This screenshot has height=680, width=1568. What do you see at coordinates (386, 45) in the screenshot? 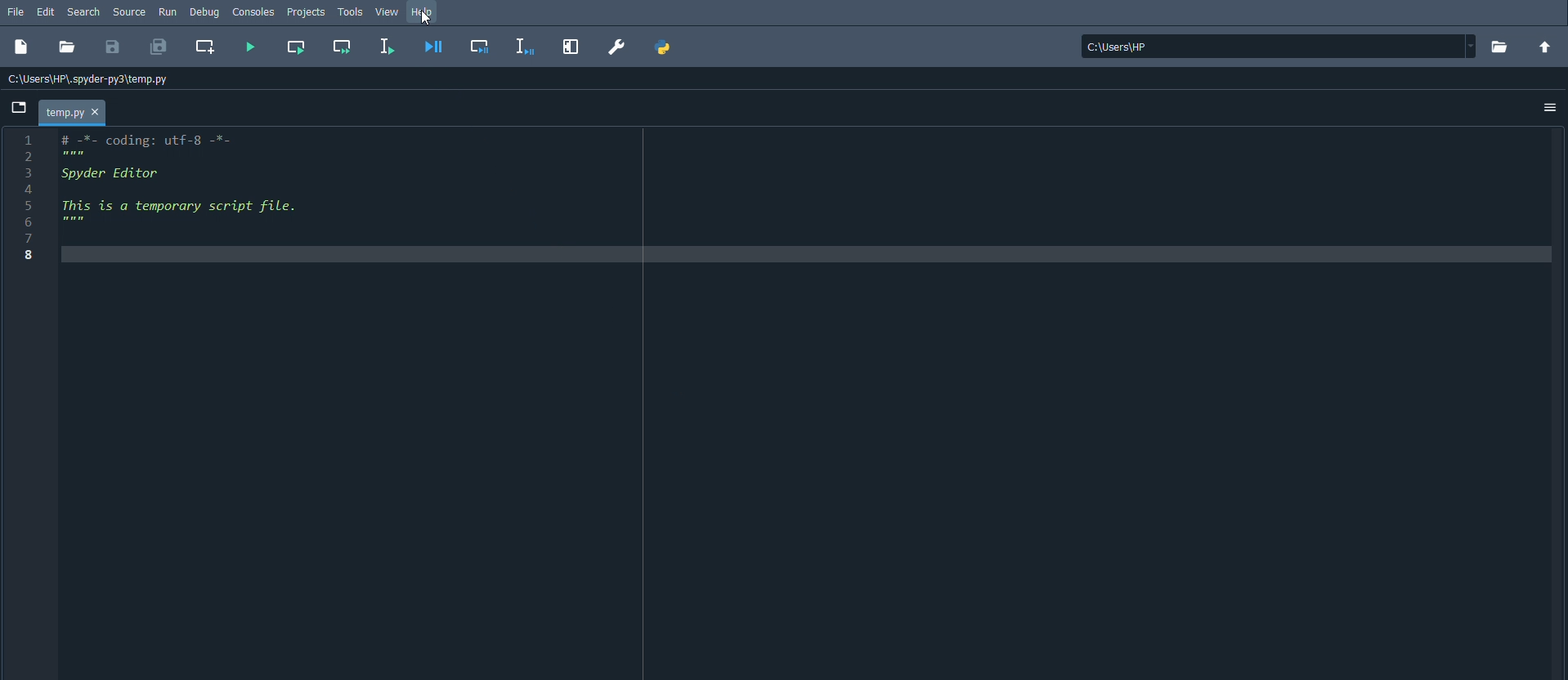
I see `Run selection or current line` at bounding box center [386, 45].